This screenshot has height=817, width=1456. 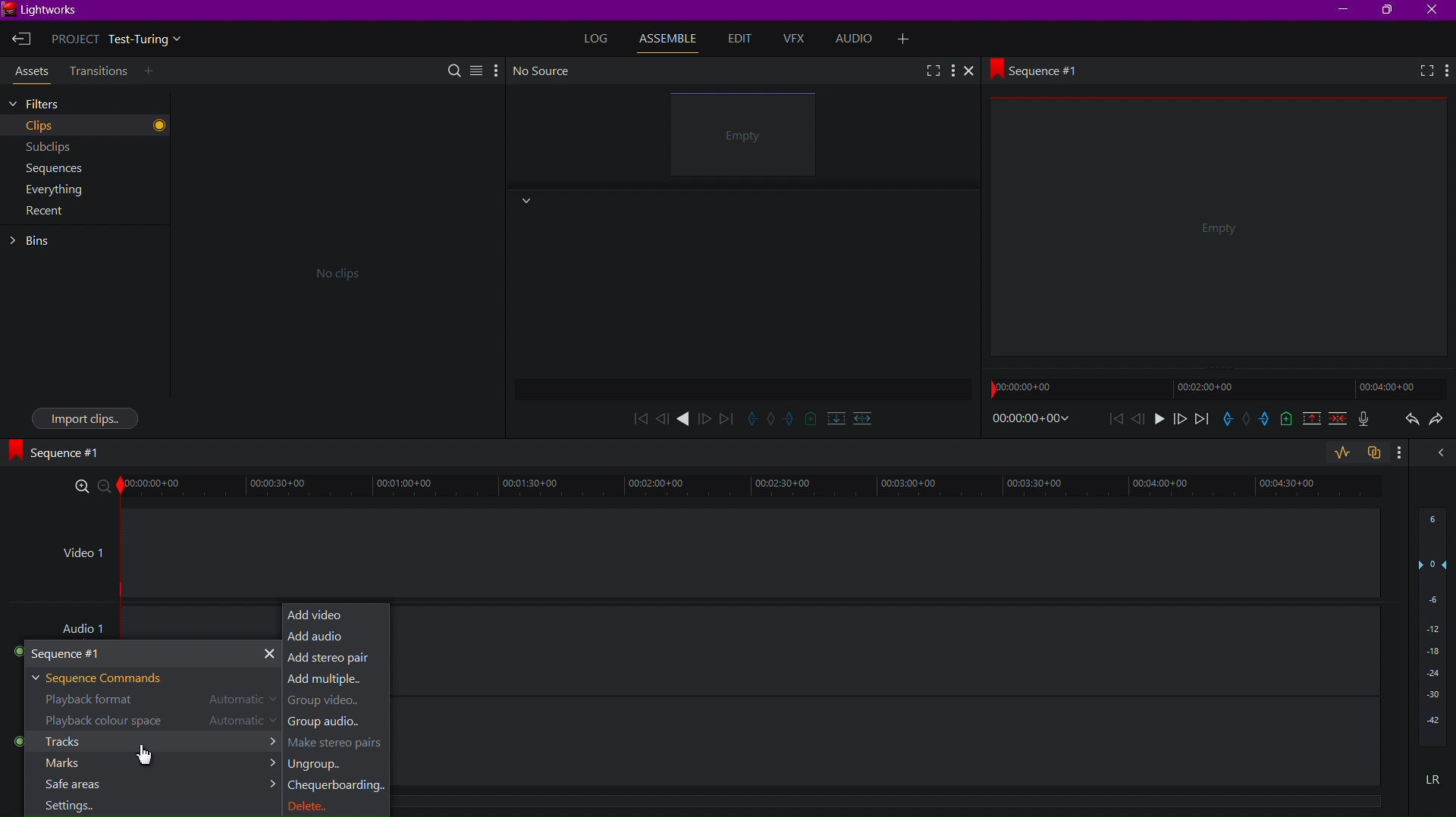 I want to click on forward, so click(x=706, y=418).